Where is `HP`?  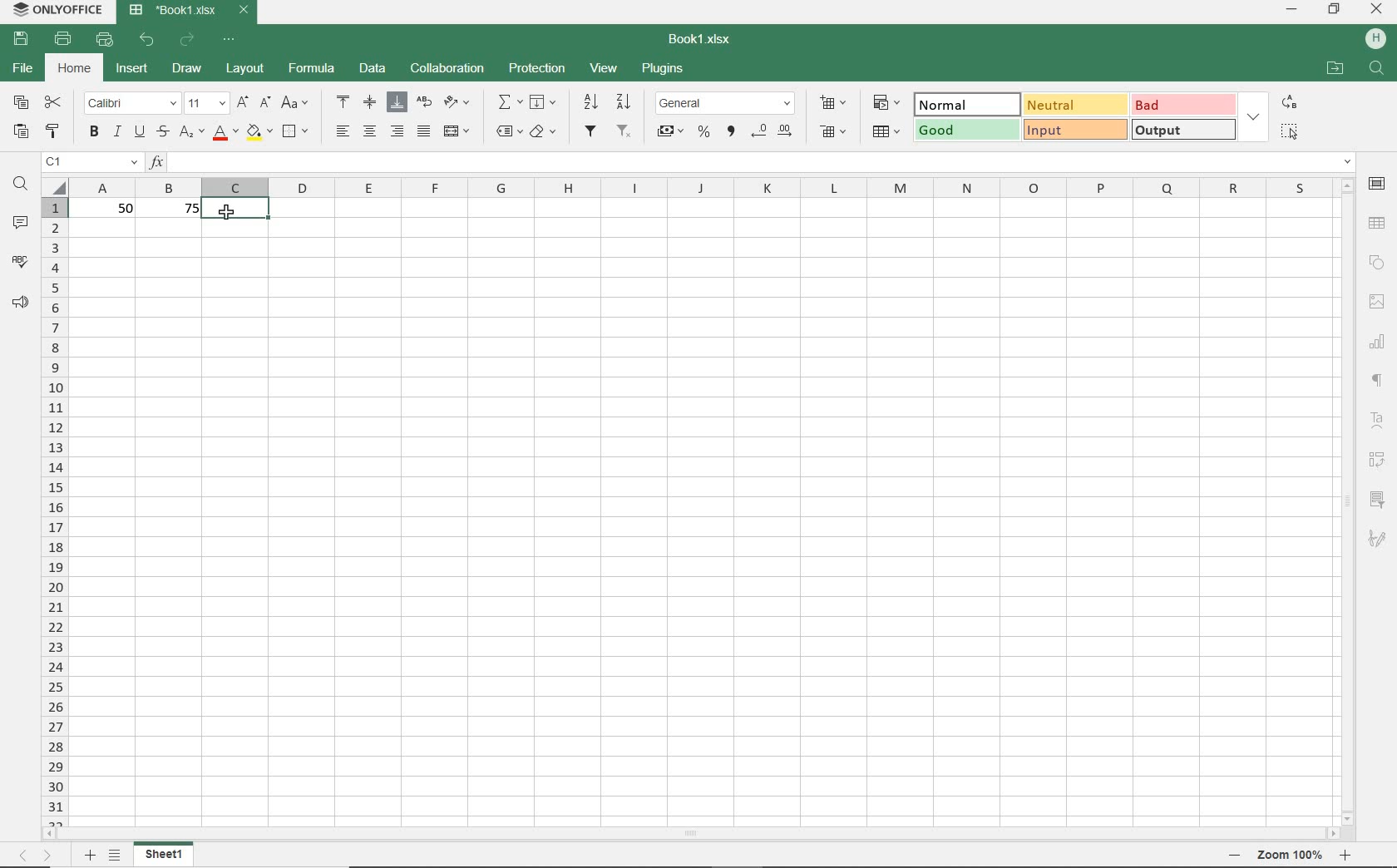 HP is located at coordinates (1373, 37).